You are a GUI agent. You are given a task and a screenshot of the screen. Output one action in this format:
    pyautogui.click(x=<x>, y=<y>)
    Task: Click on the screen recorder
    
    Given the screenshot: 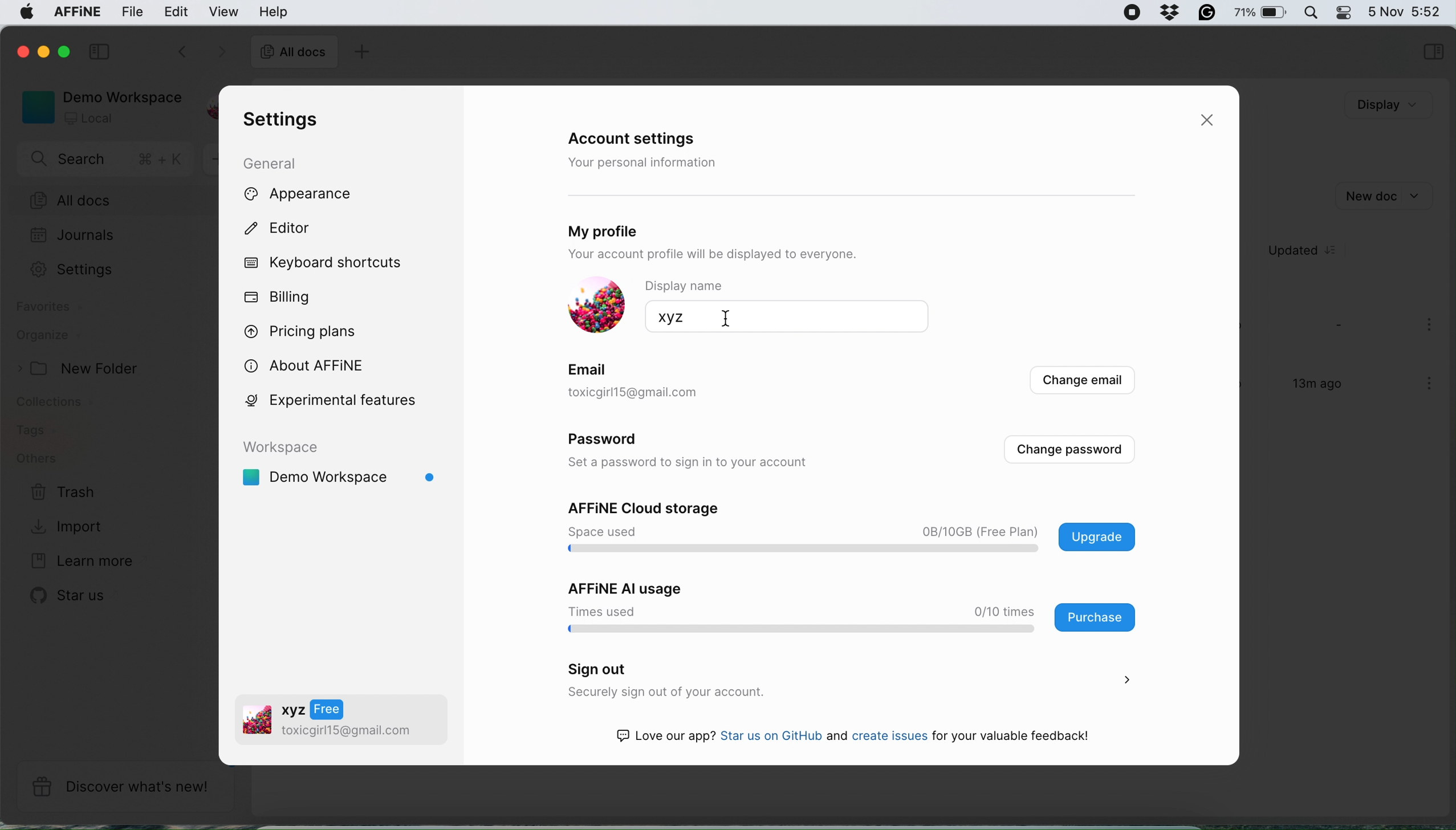 What is the action you would take?
    pyautogui.click(x=1125, y=13)
    